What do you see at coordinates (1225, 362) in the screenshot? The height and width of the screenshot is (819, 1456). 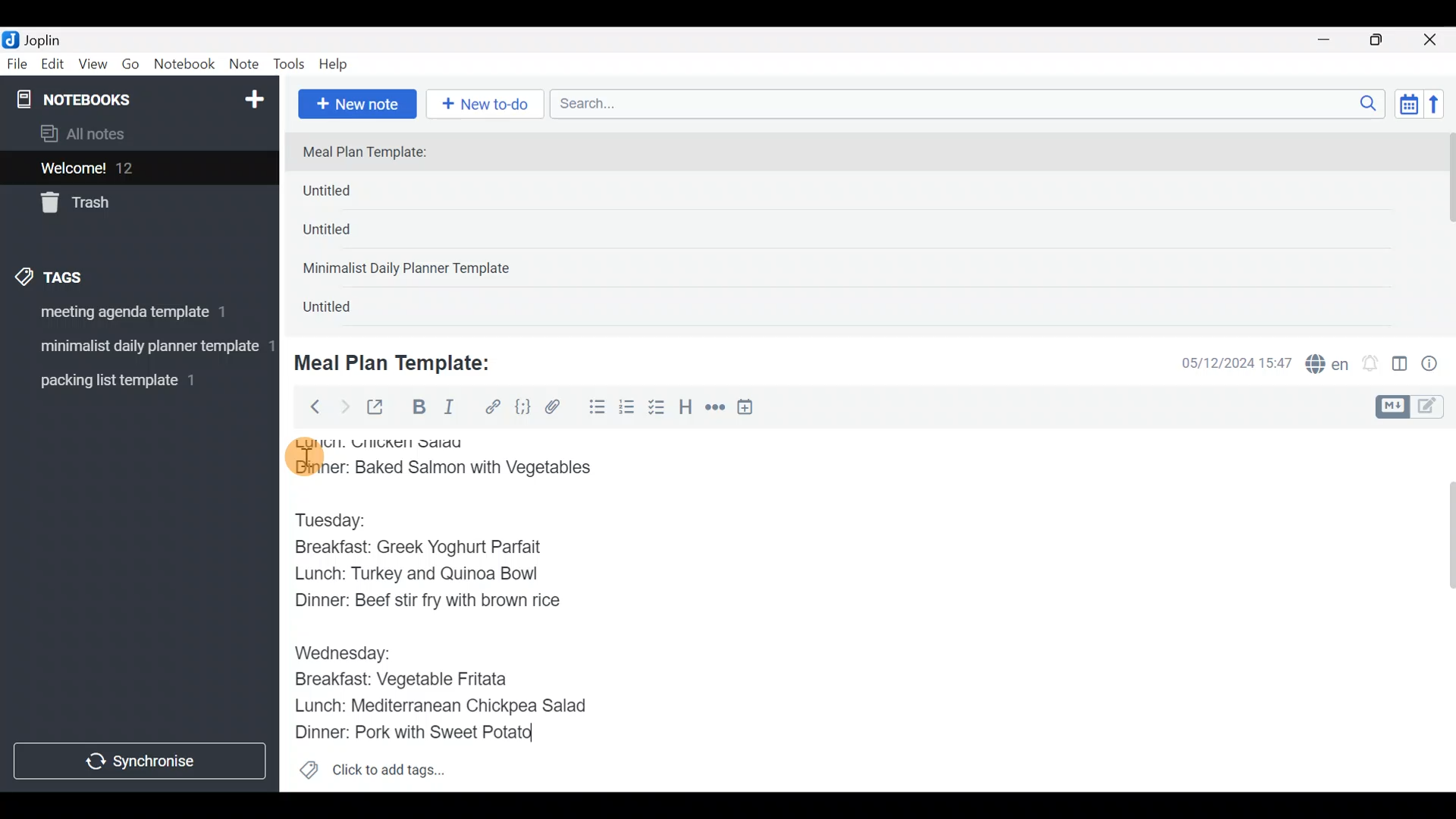 I see `Date & time` at bounding box center [1225, 362].